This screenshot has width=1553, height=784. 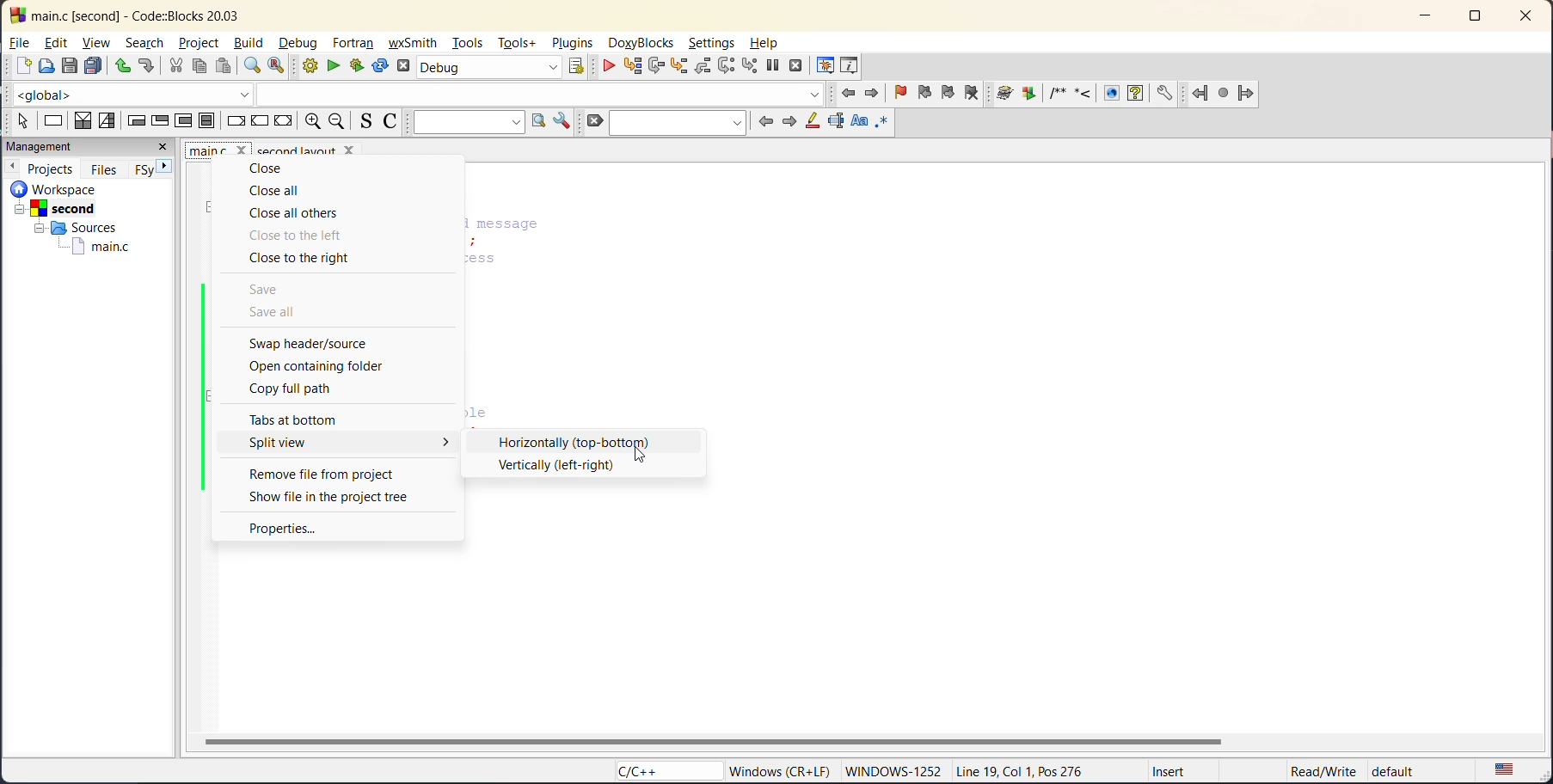 I want to click on close to the left, so click(x=302, y=236).